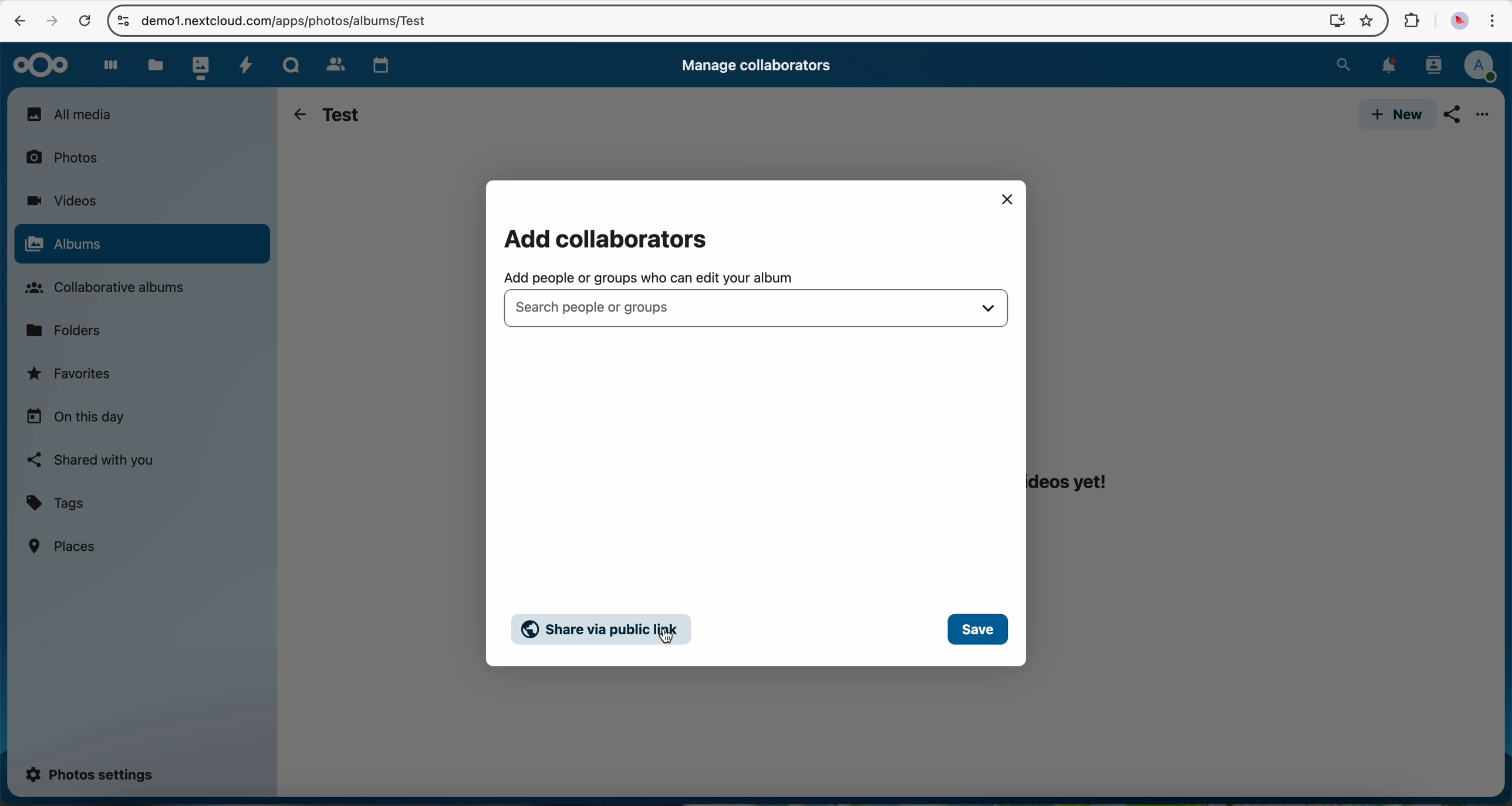 This screenshot has height=806, width=1512. What do you see at coordinates (1006, 198) in the screenshot?
I see `close pop-up` at bounding box center [1006, 198].